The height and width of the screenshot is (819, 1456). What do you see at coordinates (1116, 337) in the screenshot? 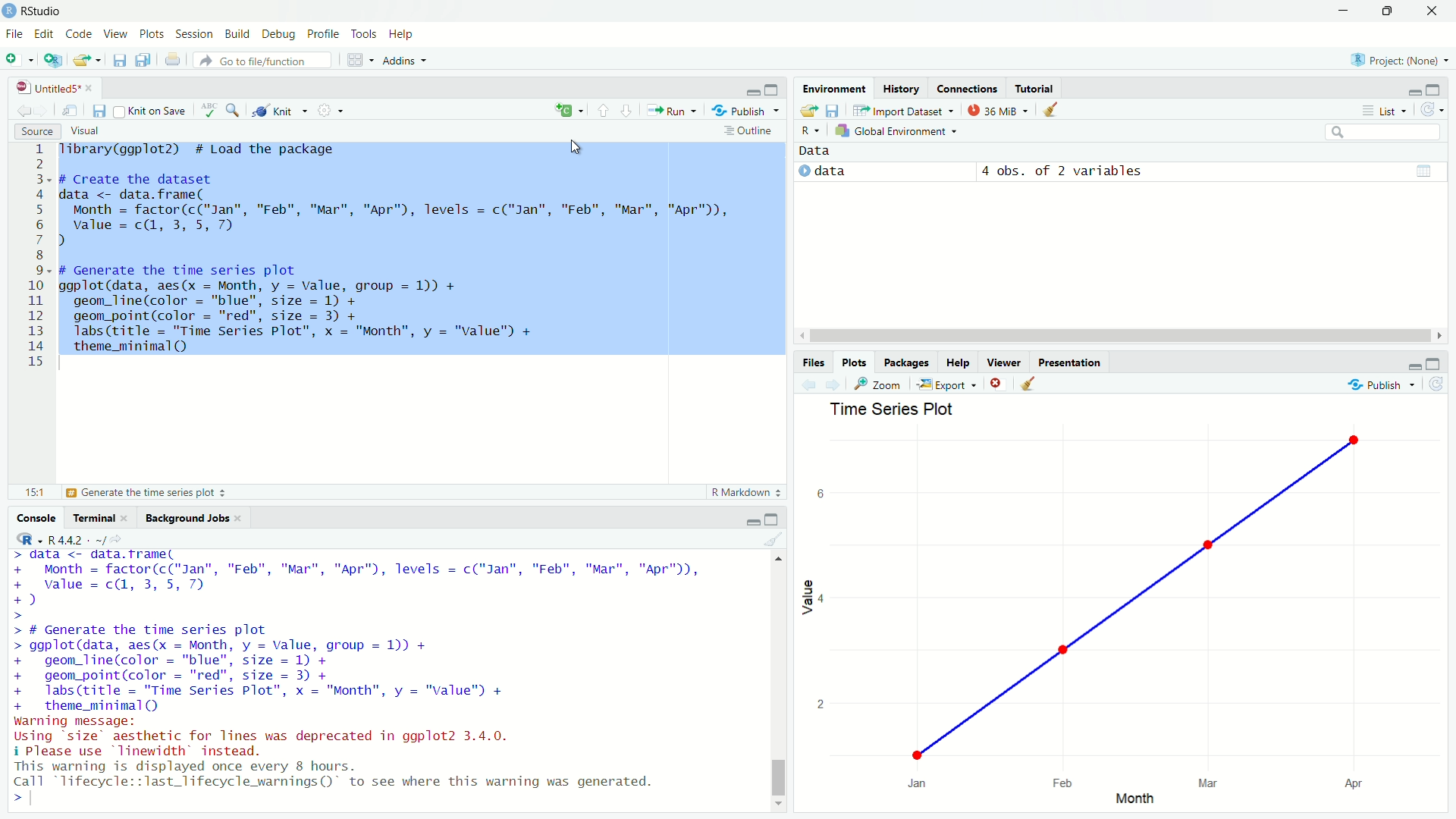
I see `scrollbar` at bounding box center [1116, 337].